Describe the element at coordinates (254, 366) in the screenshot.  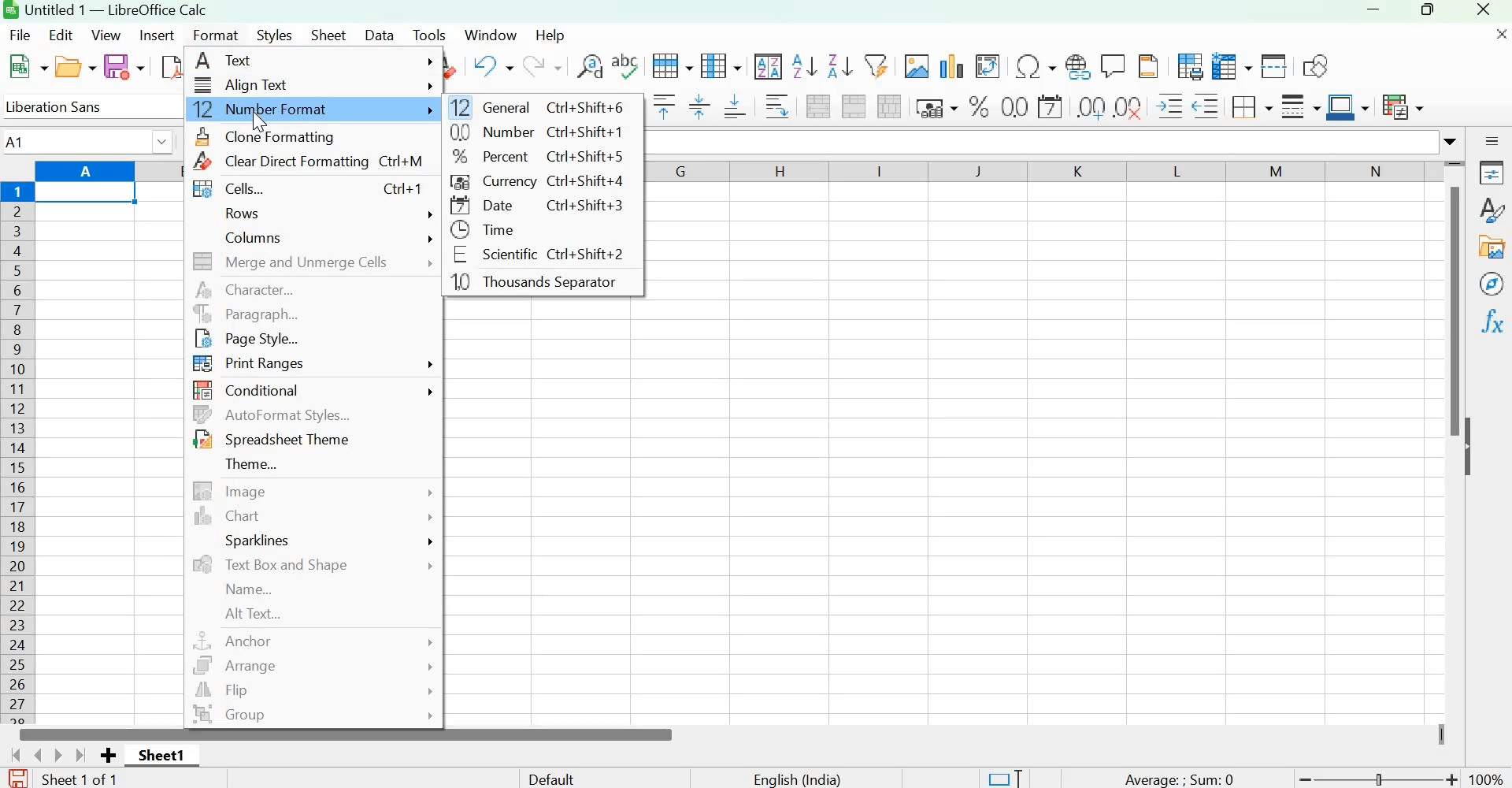
I see `Print Ranges` at that location.